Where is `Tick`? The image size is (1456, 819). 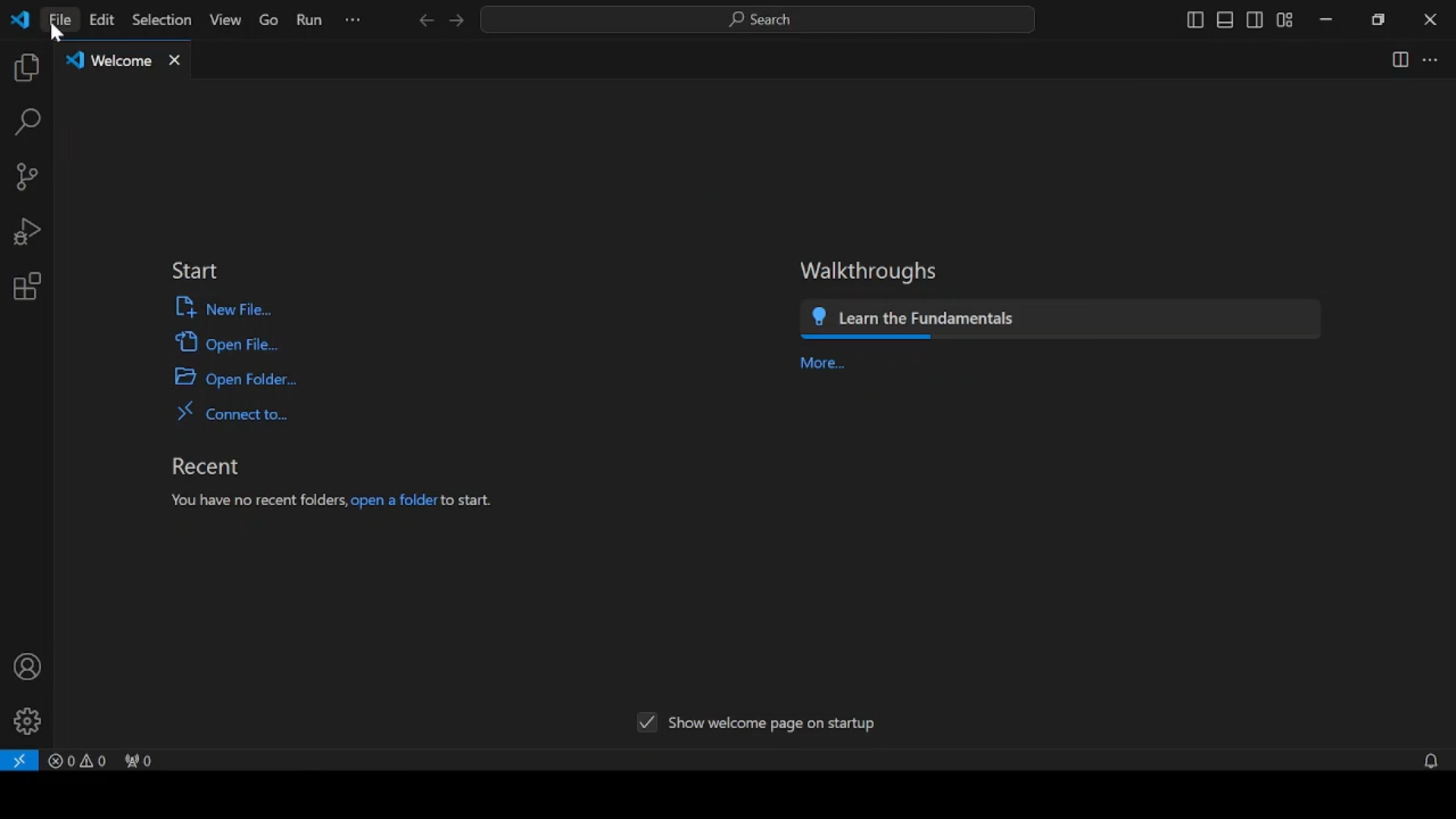
Tick is located at coordinates (643, 720).